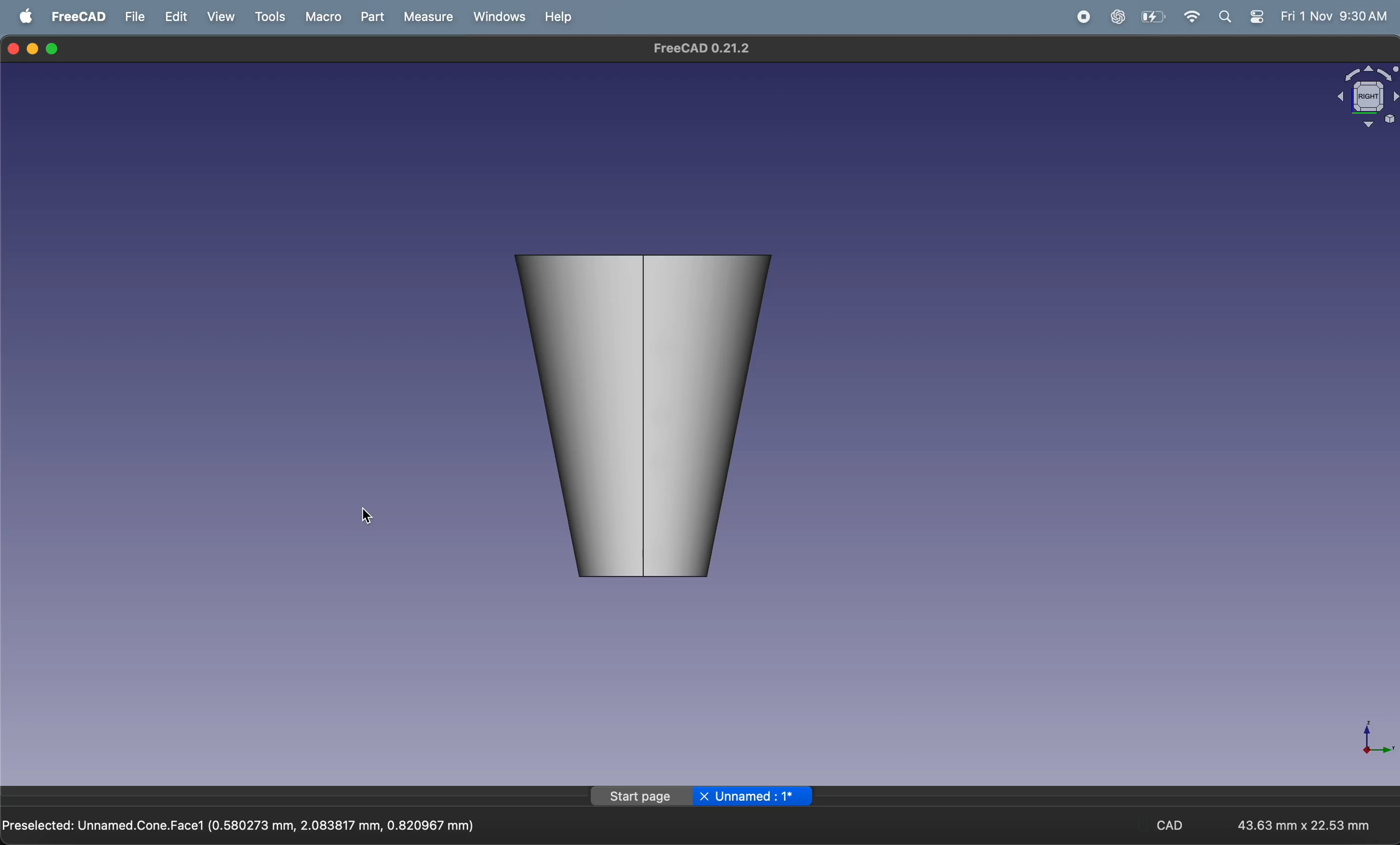 This screenshot has width=1400, height=845. What do you see at coordinates (620, 425) in the screenshot?
I see `cone vertical view` at bounding box center [620, 425].